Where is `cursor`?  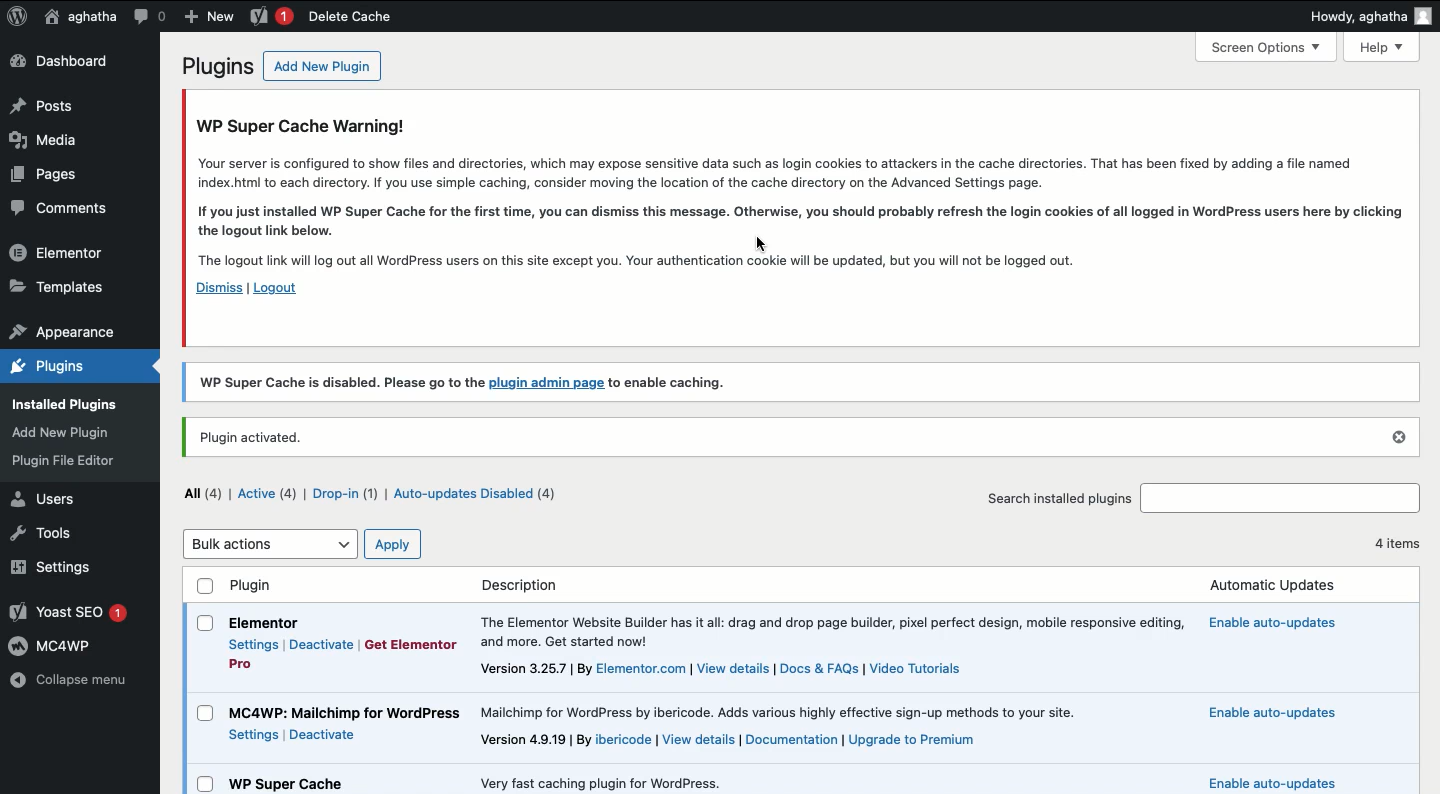
cursor is located at coordinates (769, 240).